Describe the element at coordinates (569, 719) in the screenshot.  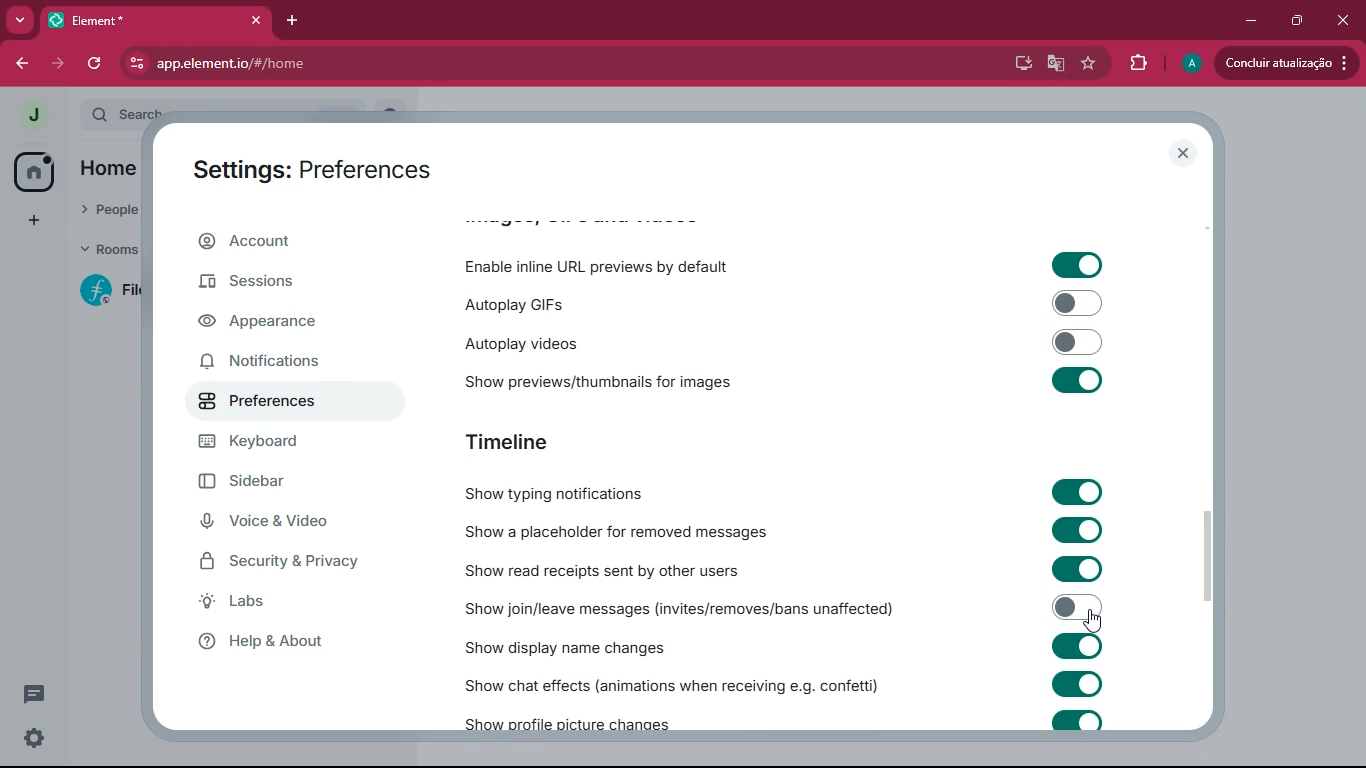
I see `show profile picture changes` at that location.